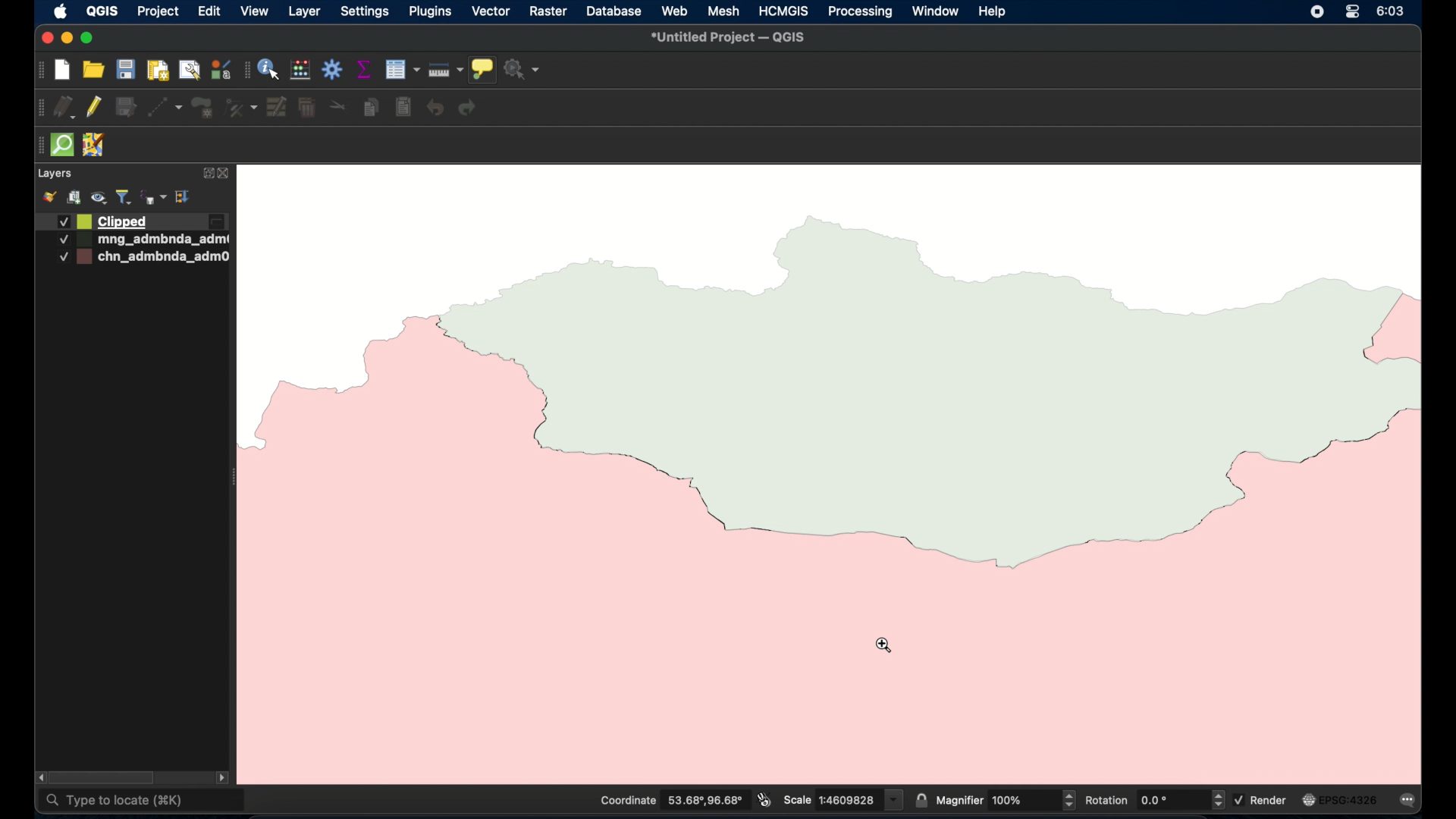 The image size is (1456, 819). Describe the element at coordinates (436, 108) in the screenshot. I see `undo` at that location.